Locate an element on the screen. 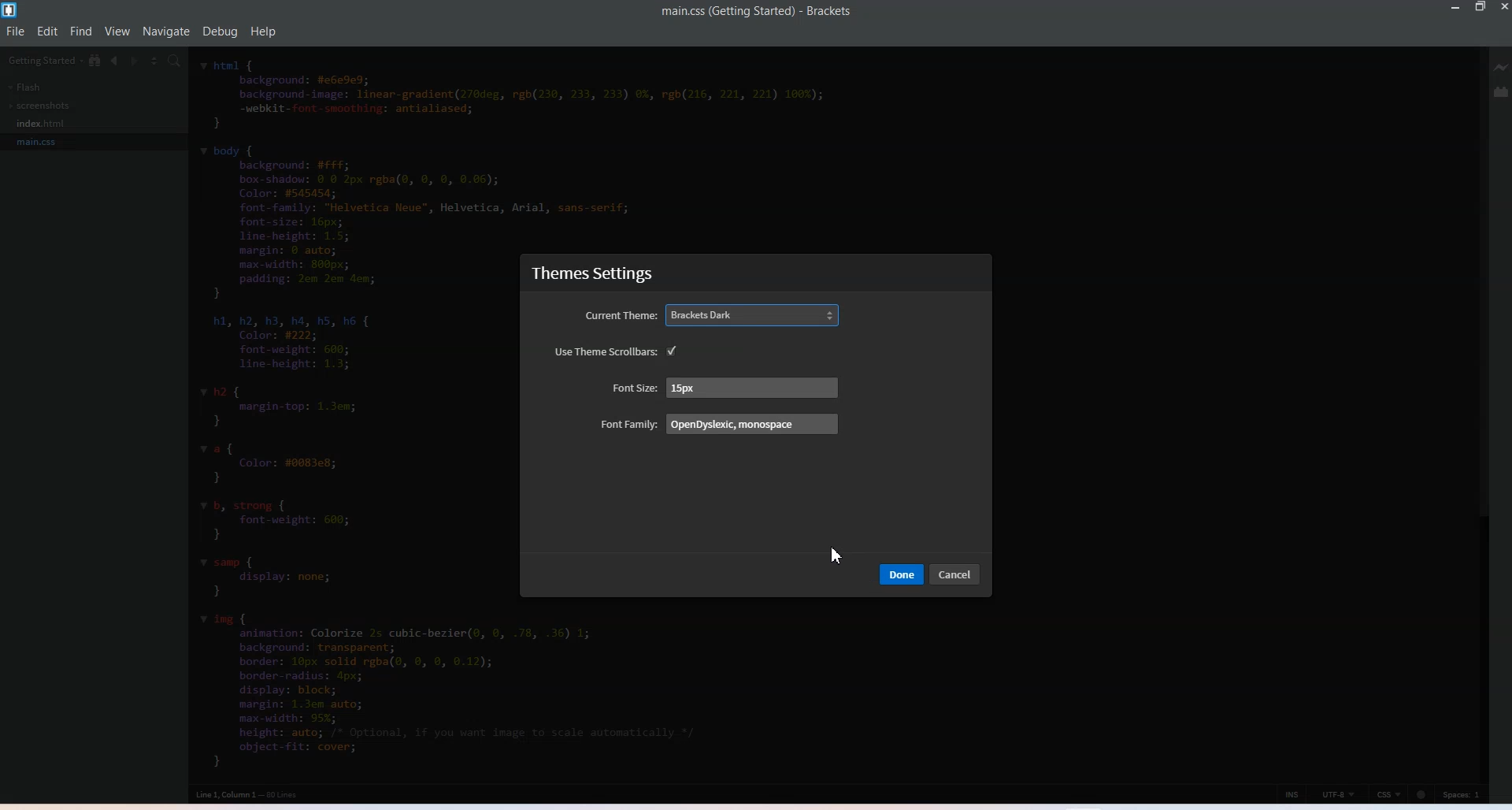 The height and width of the screenshot is (810, 1512). Spaces 1 is located at coordinates (1460, 795).